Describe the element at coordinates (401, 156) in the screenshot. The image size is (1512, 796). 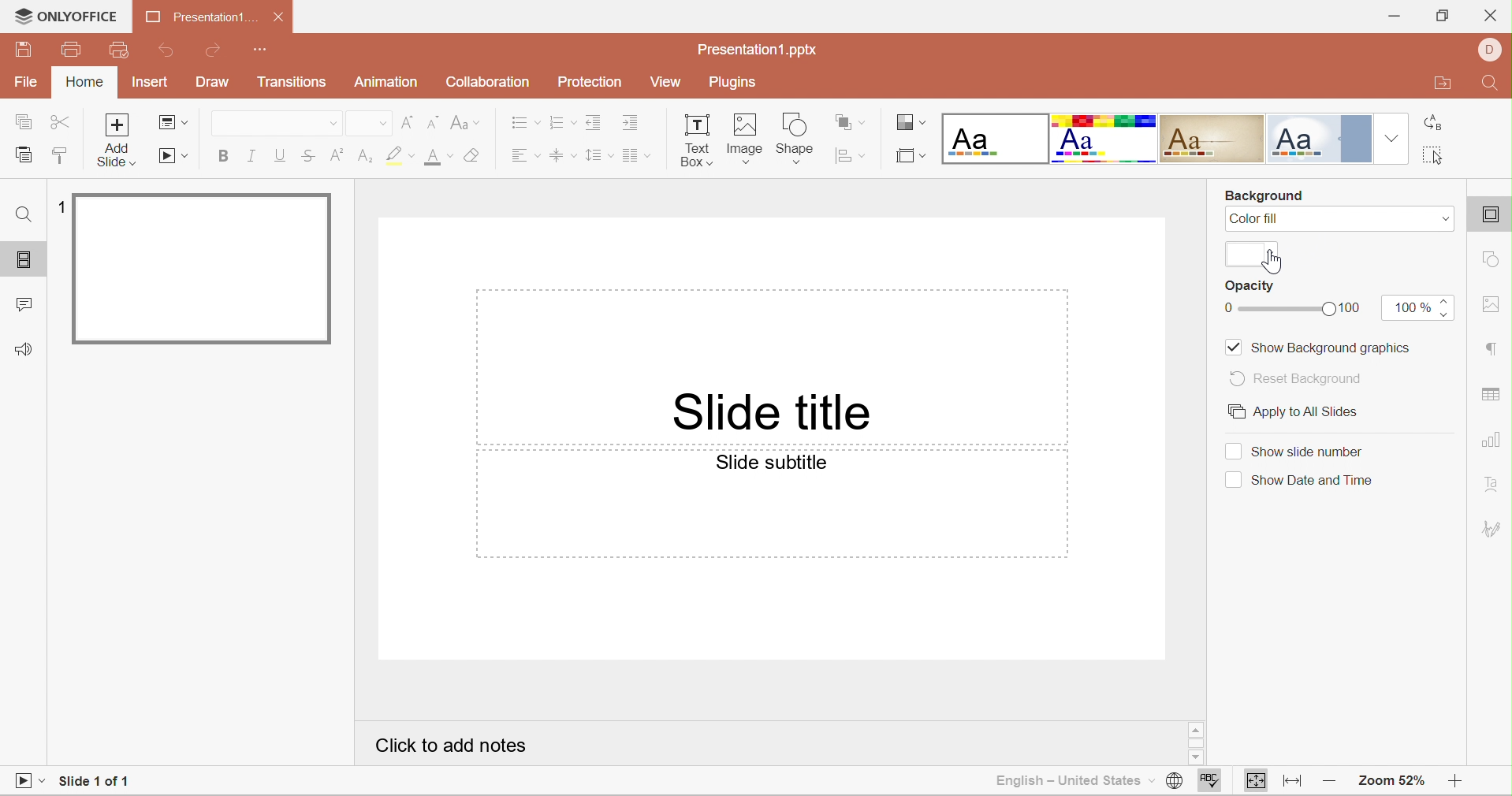
I see `Highlight color` at that location.